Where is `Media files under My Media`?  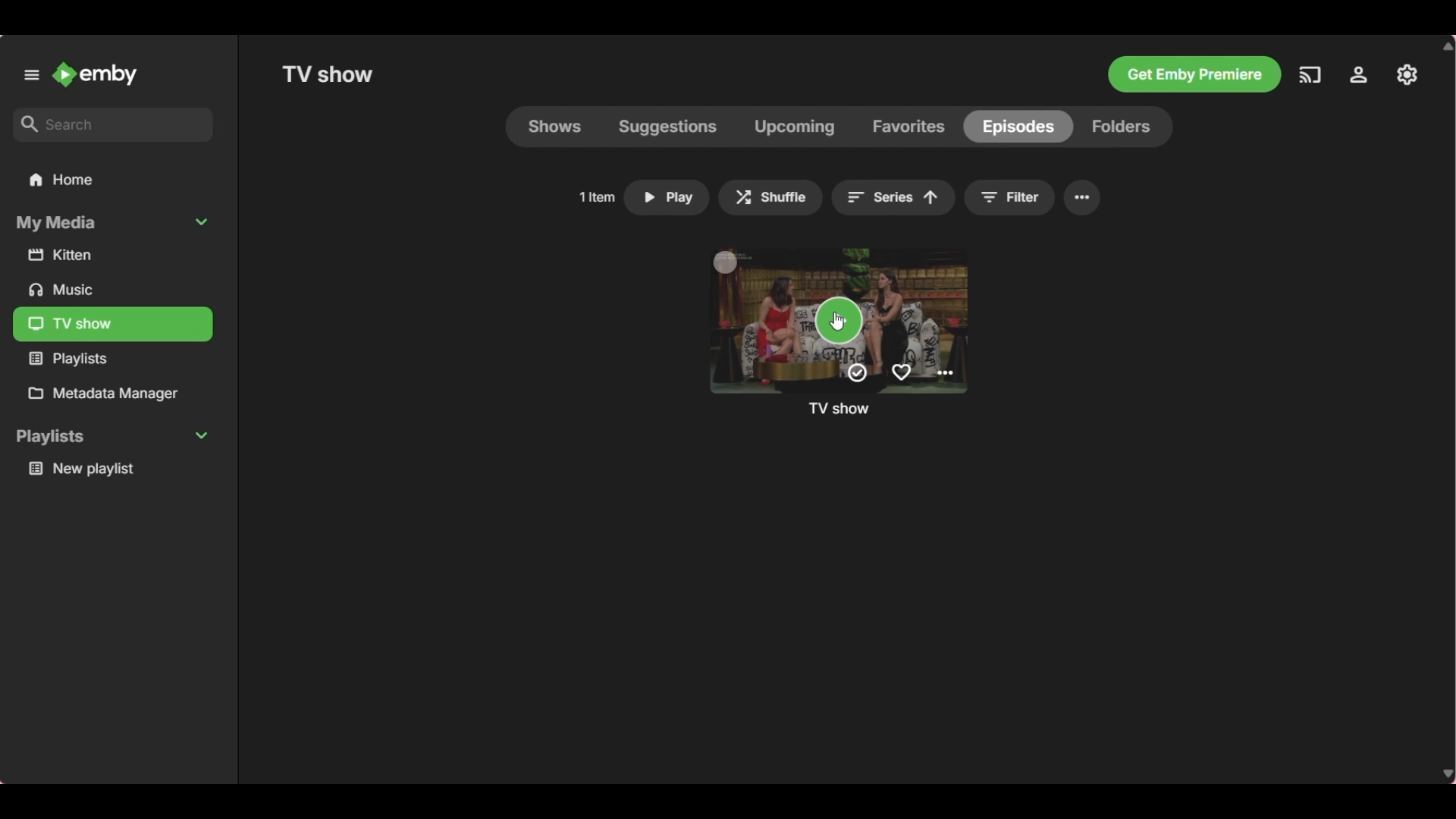
Media files under My Media is located at coordinates (67, 290).